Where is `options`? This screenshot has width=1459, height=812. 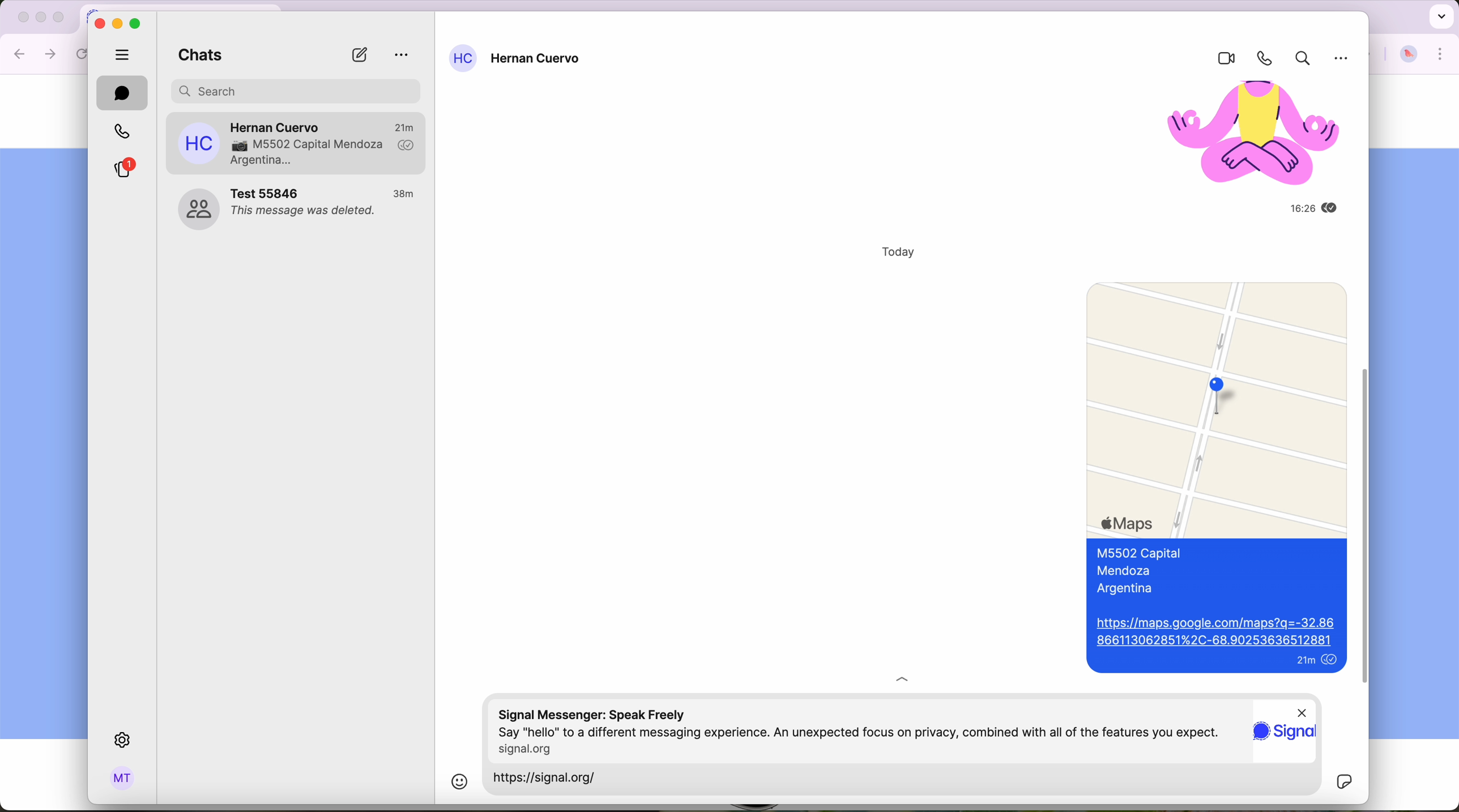
options is located at coordinates (402, 55).